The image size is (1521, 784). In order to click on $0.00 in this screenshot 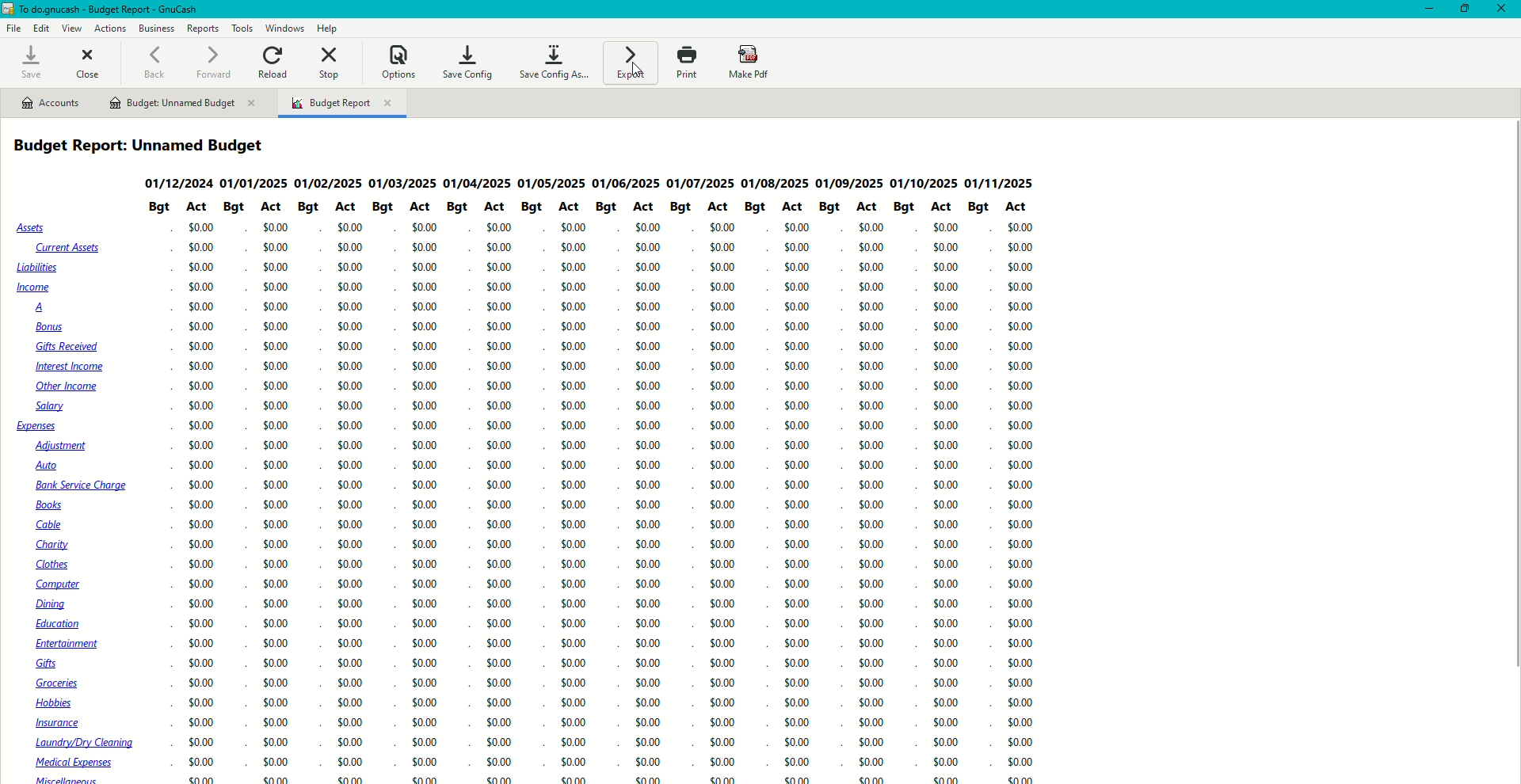, I will do `click(423, 705)`.